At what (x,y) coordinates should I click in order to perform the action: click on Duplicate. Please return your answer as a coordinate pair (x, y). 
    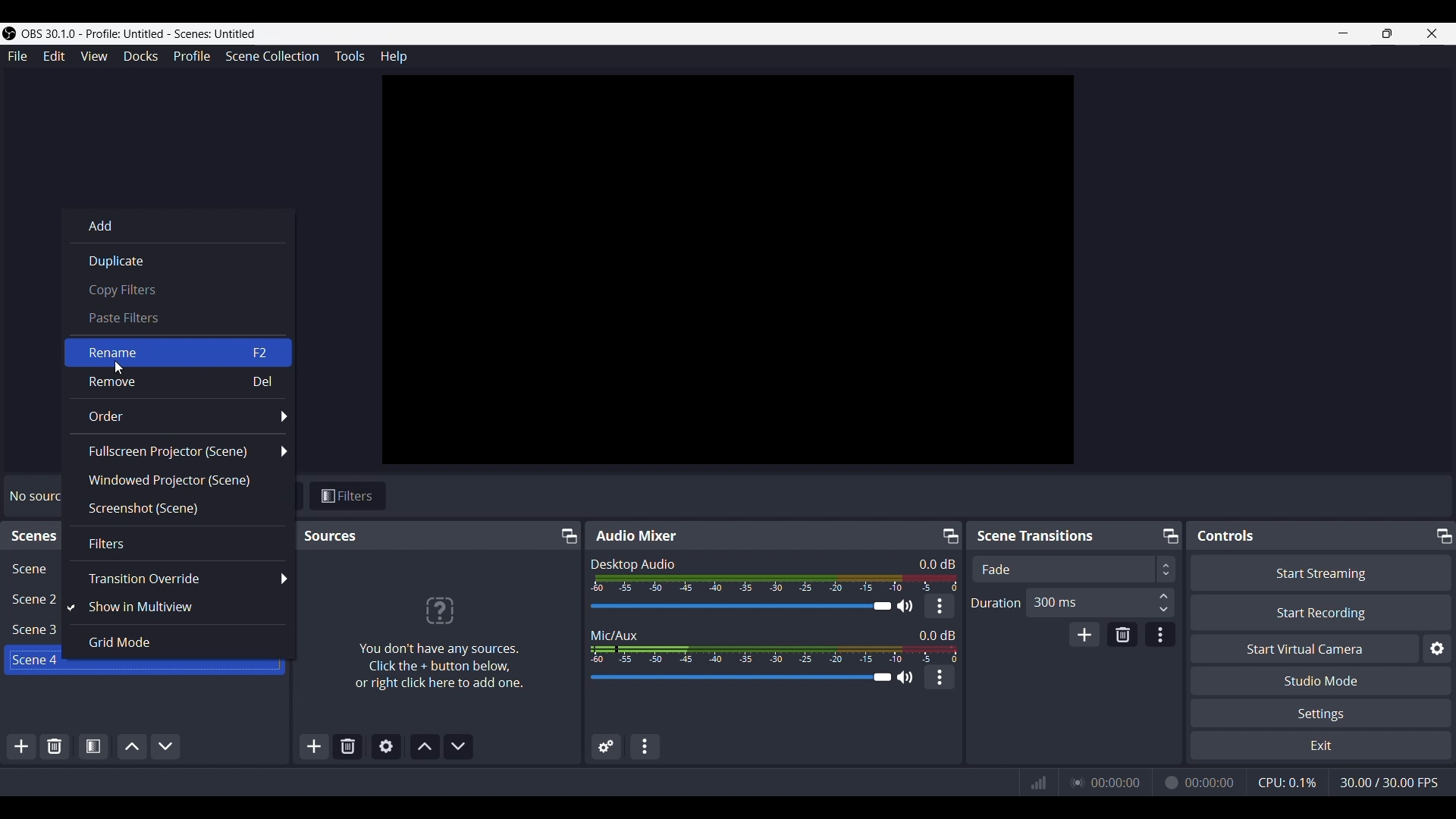
    Looking at the image, I should click on (115, 259).